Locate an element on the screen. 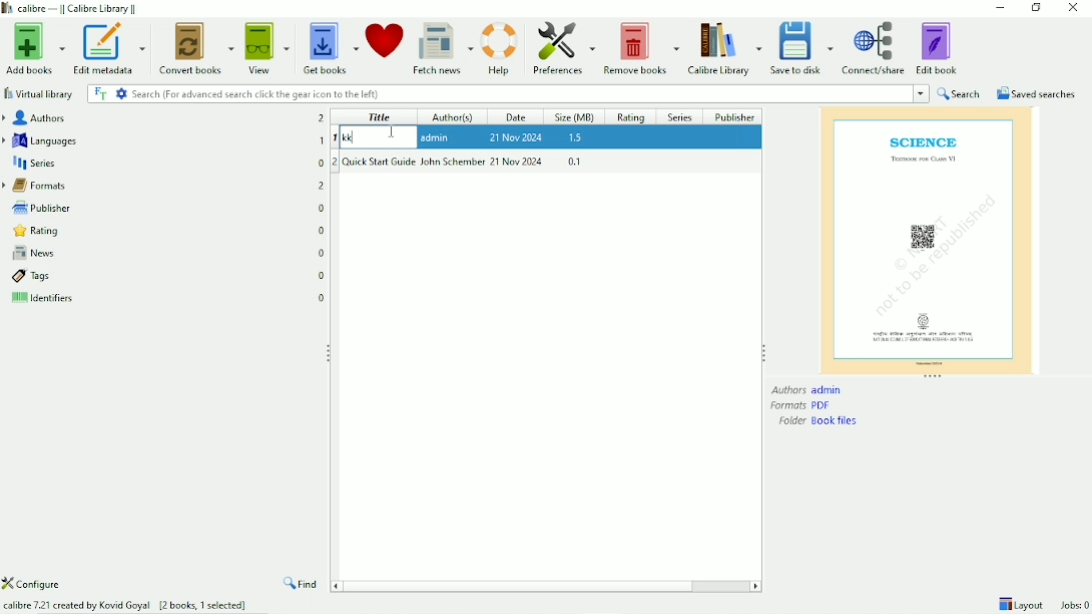 This screenshot has width=1092, height=614. Formats is located at coordinates (801, 406).